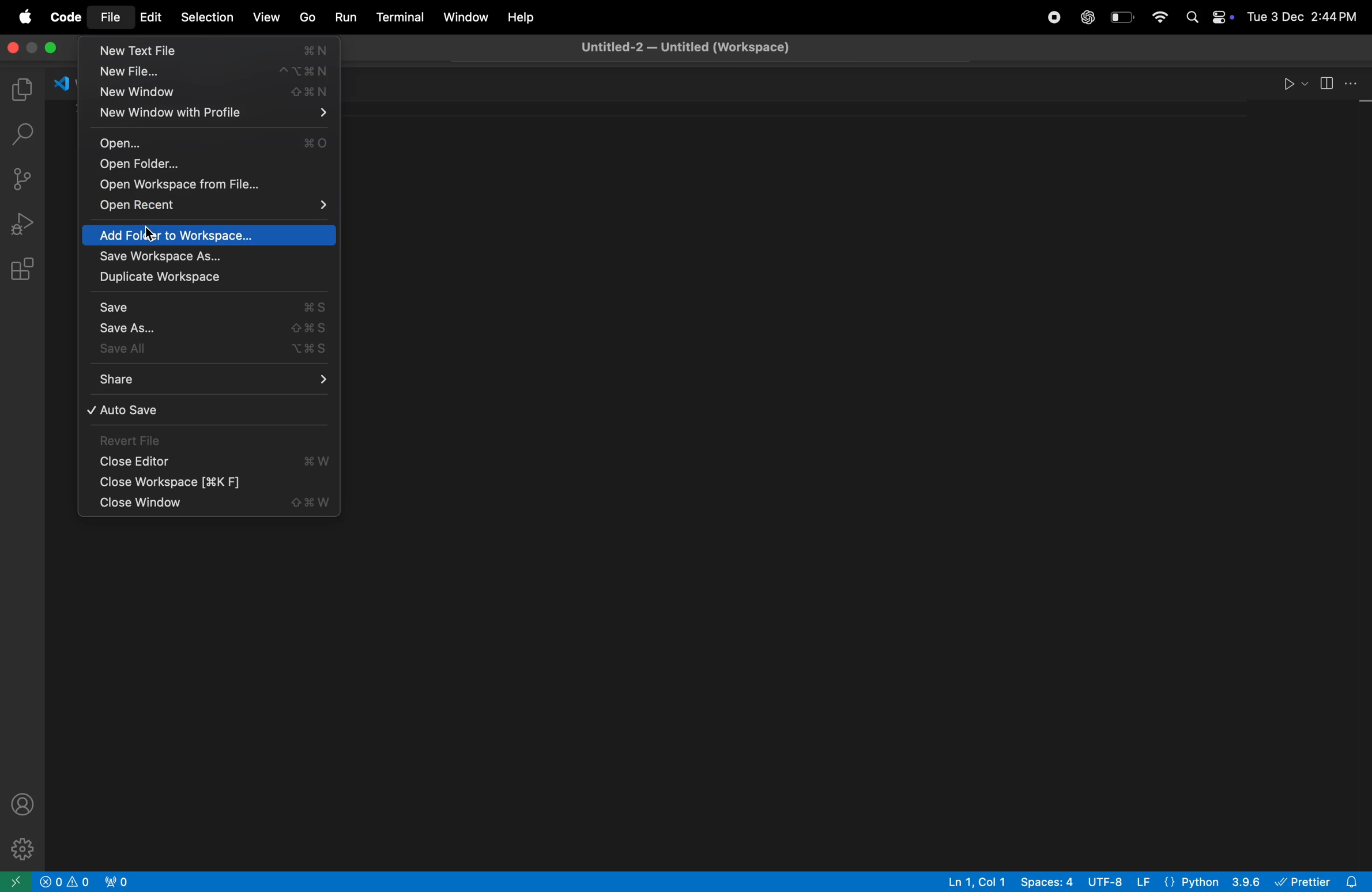  What do you see at coordinates (24, 177) in the screenshot?
I see `source control` at bounding box center [24, 177].